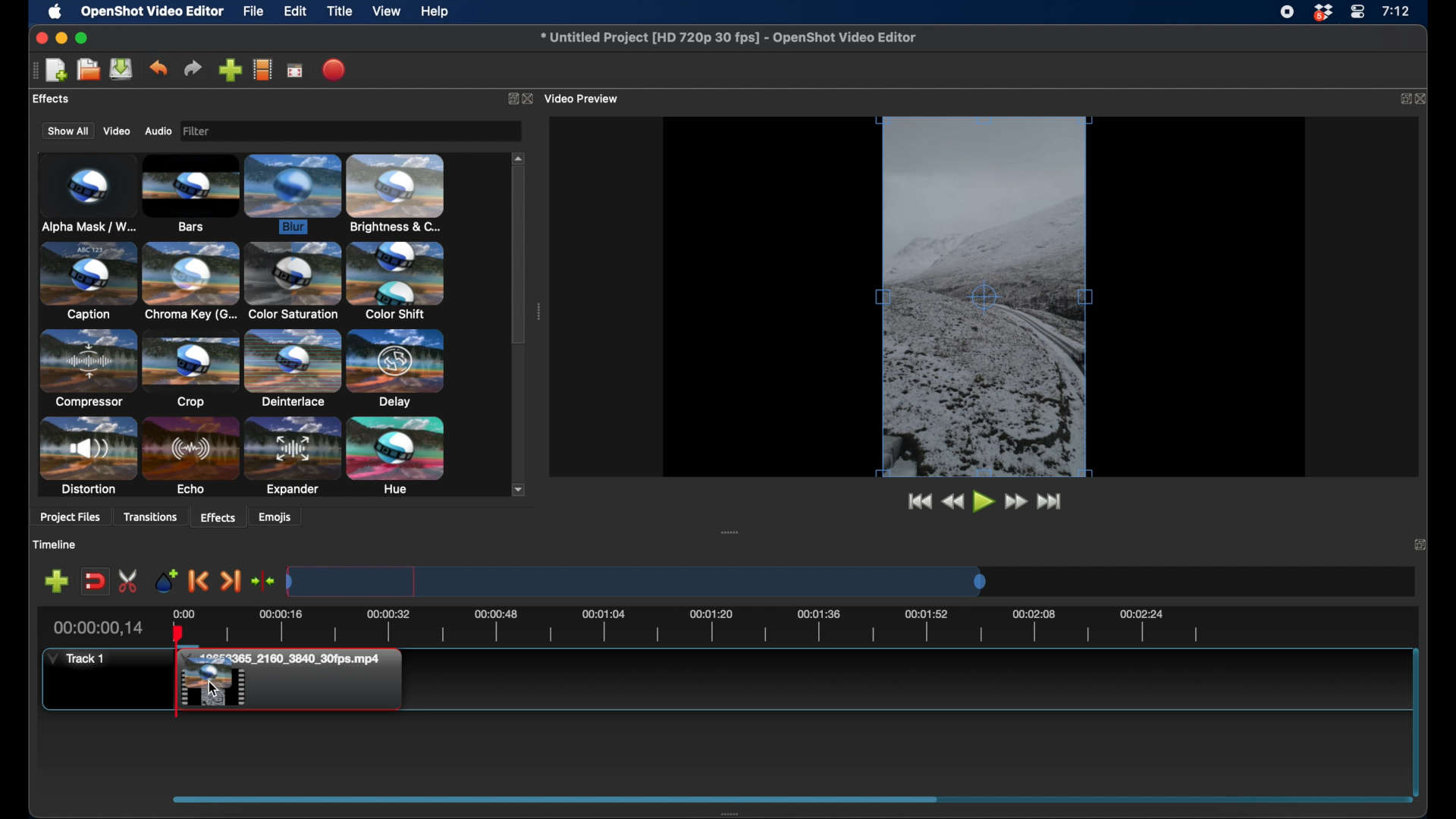 The image size is (1456, 819). I want to click on transitions, so click(150, 517).